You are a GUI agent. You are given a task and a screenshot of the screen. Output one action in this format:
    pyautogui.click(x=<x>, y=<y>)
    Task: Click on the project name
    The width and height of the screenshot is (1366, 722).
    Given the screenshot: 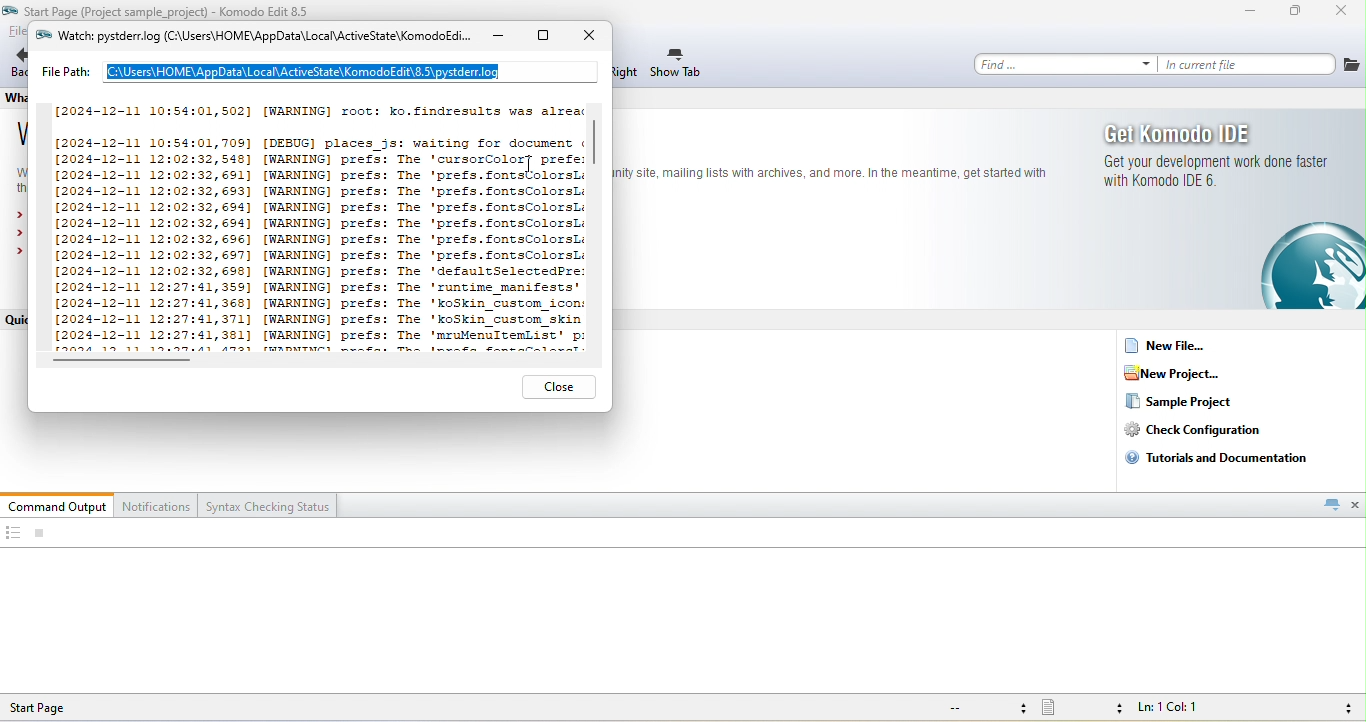 What is the action you would take?
    pyautogui.click(x=117, y=10)
    